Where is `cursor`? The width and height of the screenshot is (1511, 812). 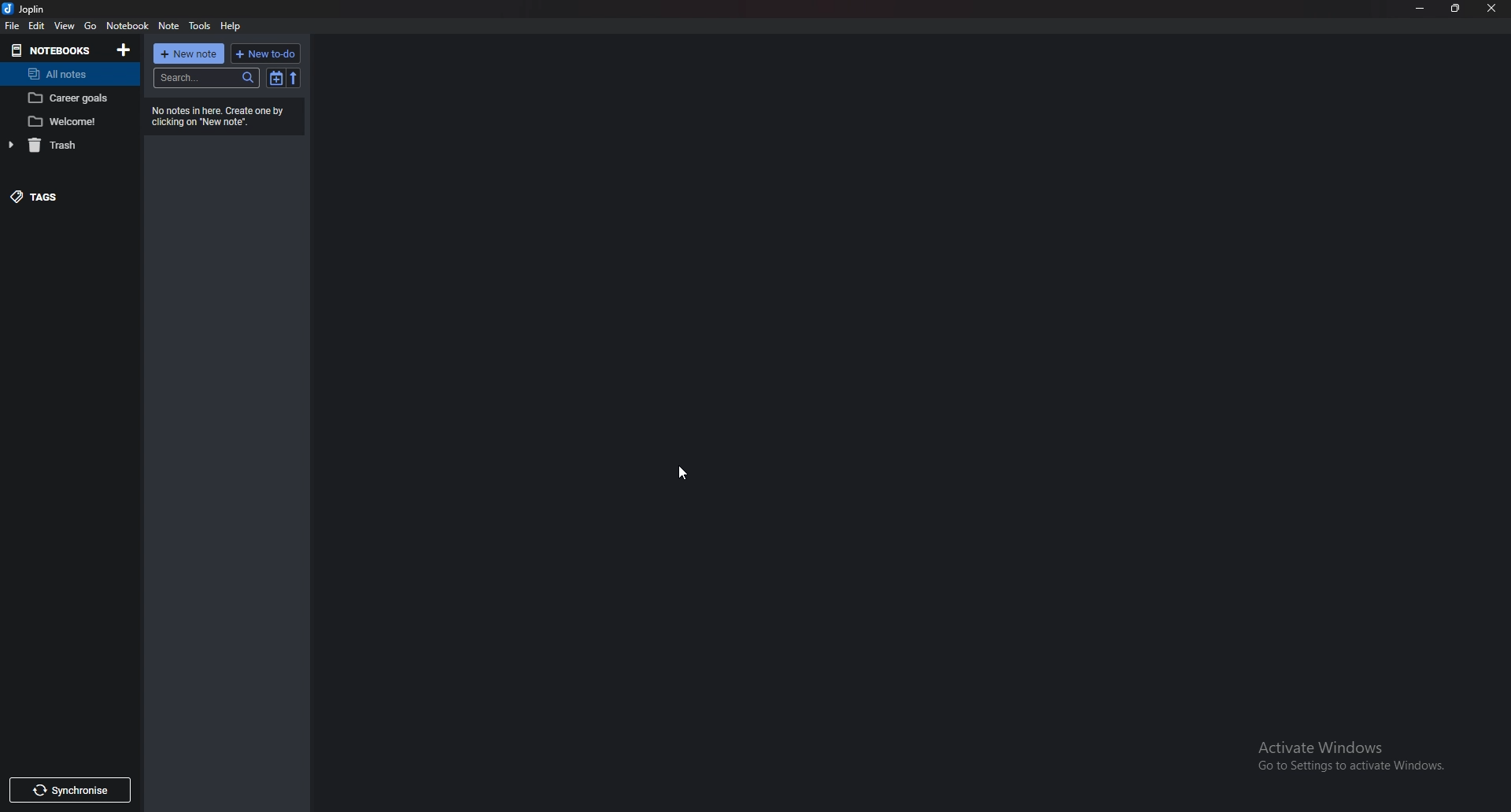 cursor is located at coordinates (685, 473).